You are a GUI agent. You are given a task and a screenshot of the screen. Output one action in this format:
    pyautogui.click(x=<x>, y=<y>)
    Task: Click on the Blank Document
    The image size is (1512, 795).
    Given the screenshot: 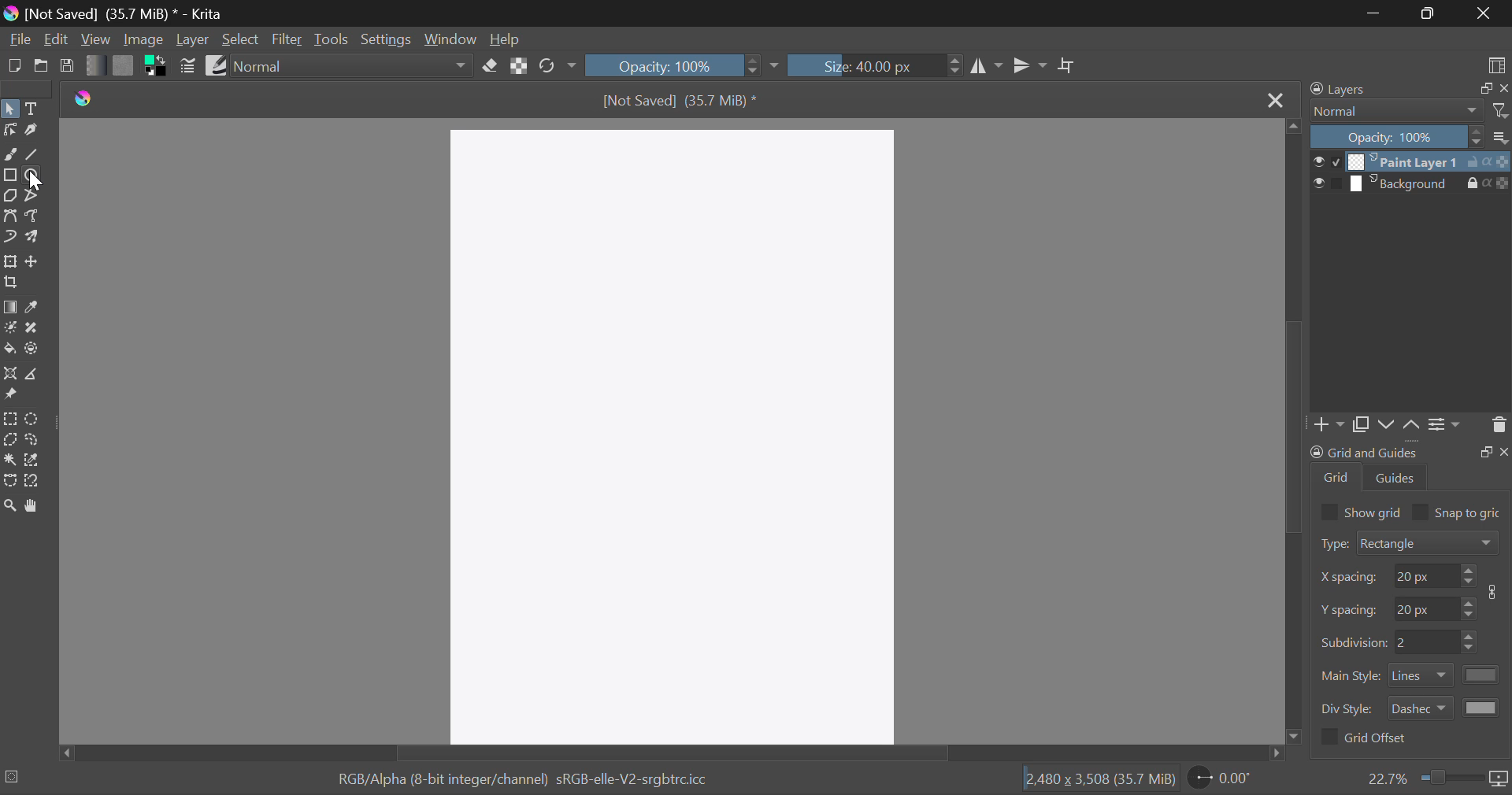 What is the action you would take?
    pyautogui.click(x=672, y=429)
    